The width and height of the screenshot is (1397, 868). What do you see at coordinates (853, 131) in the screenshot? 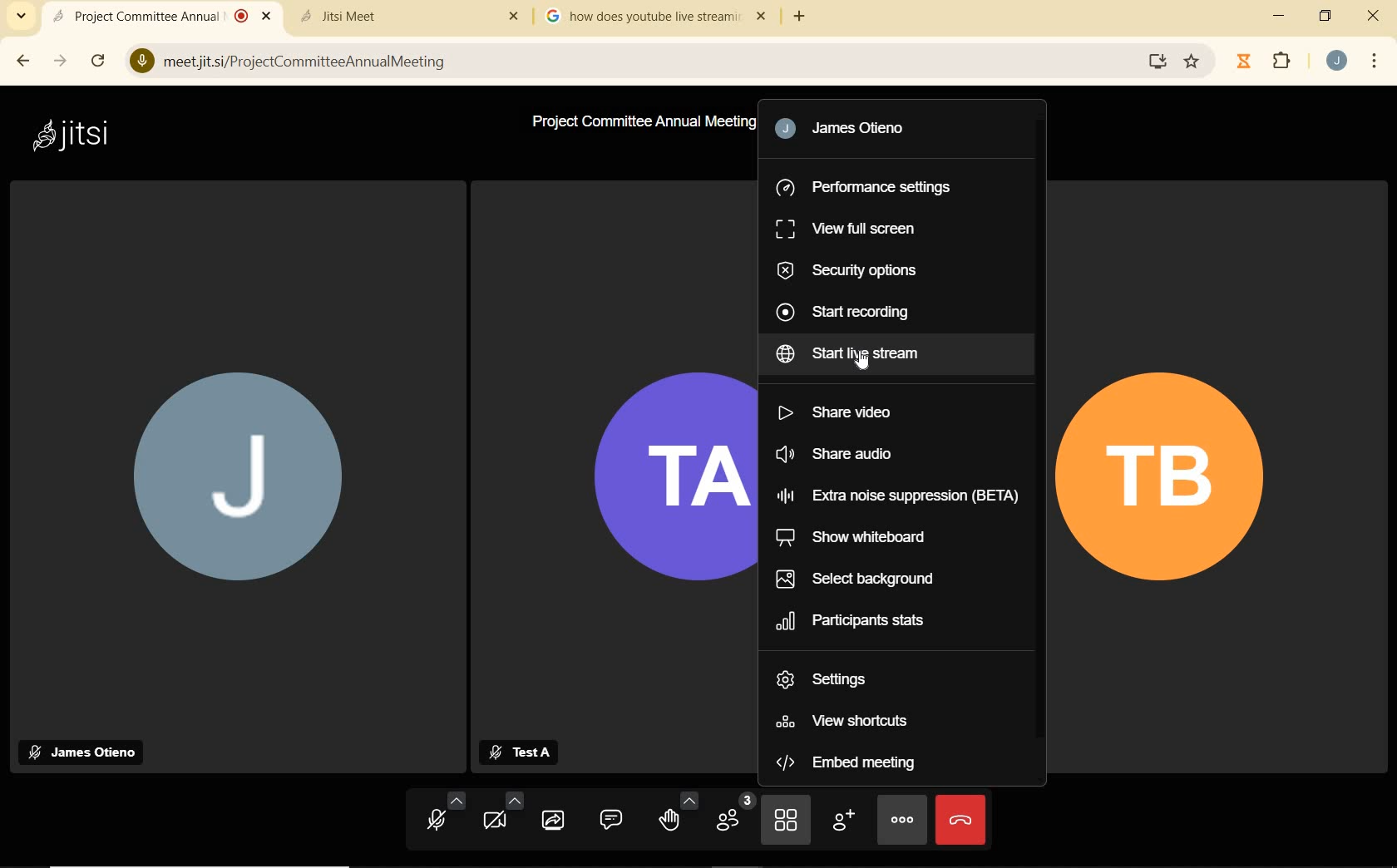
I see `James Otieno` at bounding box center [853, 131].